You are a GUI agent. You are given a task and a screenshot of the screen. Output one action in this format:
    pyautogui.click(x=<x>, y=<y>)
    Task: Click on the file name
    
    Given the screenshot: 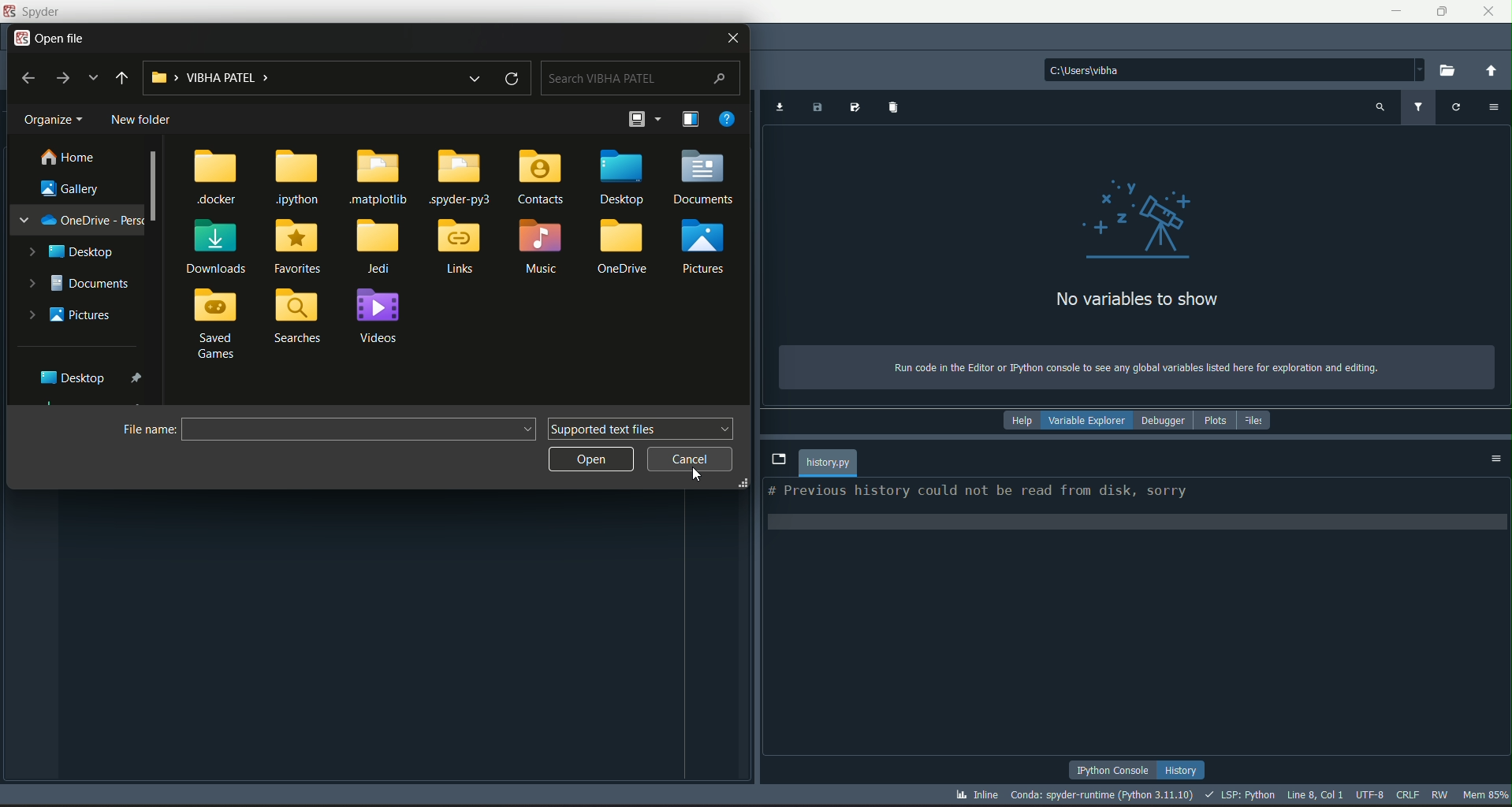 What is the action you would take?
    pyautogui.click(x=829, y=463)
    